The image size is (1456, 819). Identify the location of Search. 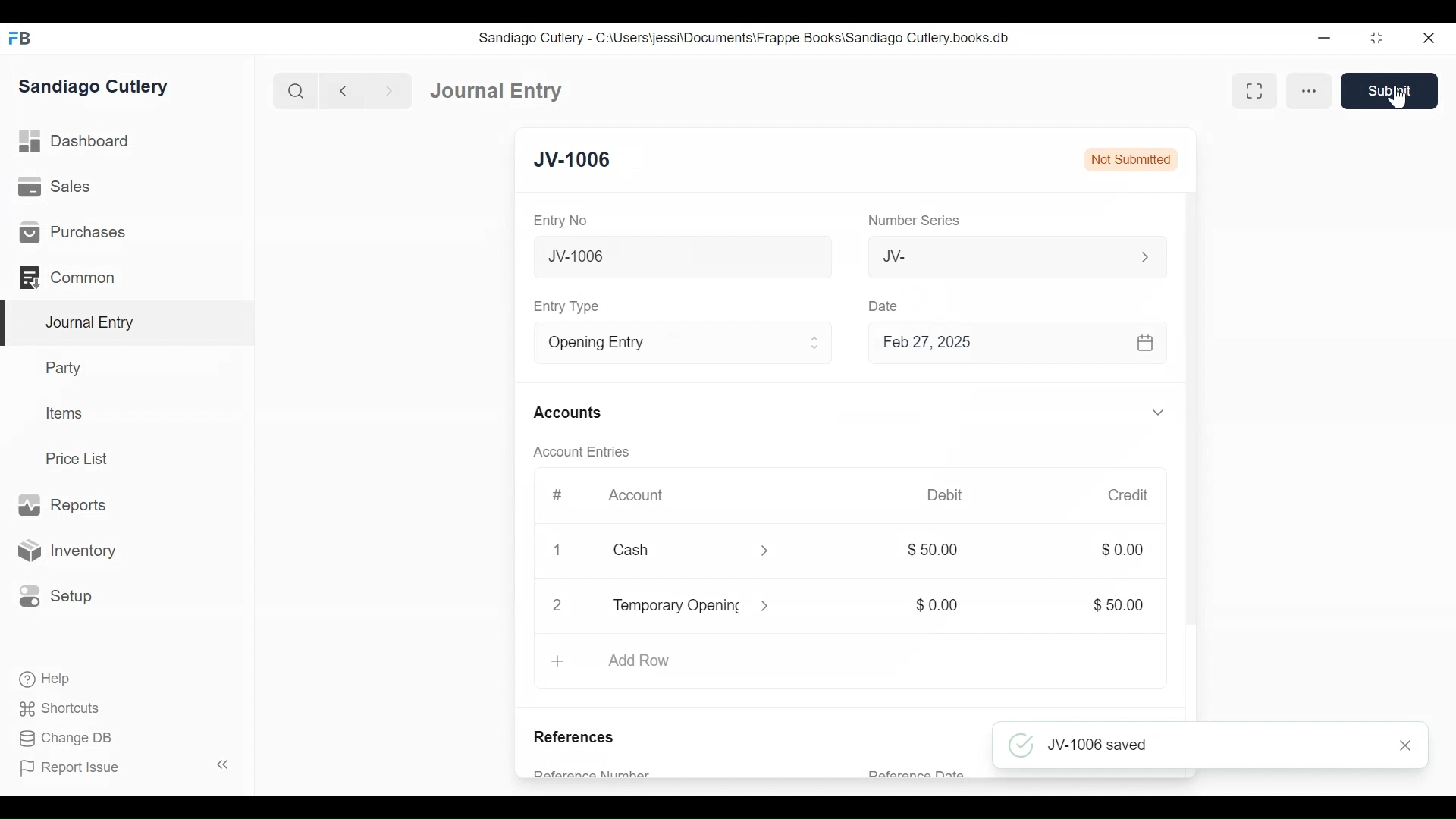
(294, 90).